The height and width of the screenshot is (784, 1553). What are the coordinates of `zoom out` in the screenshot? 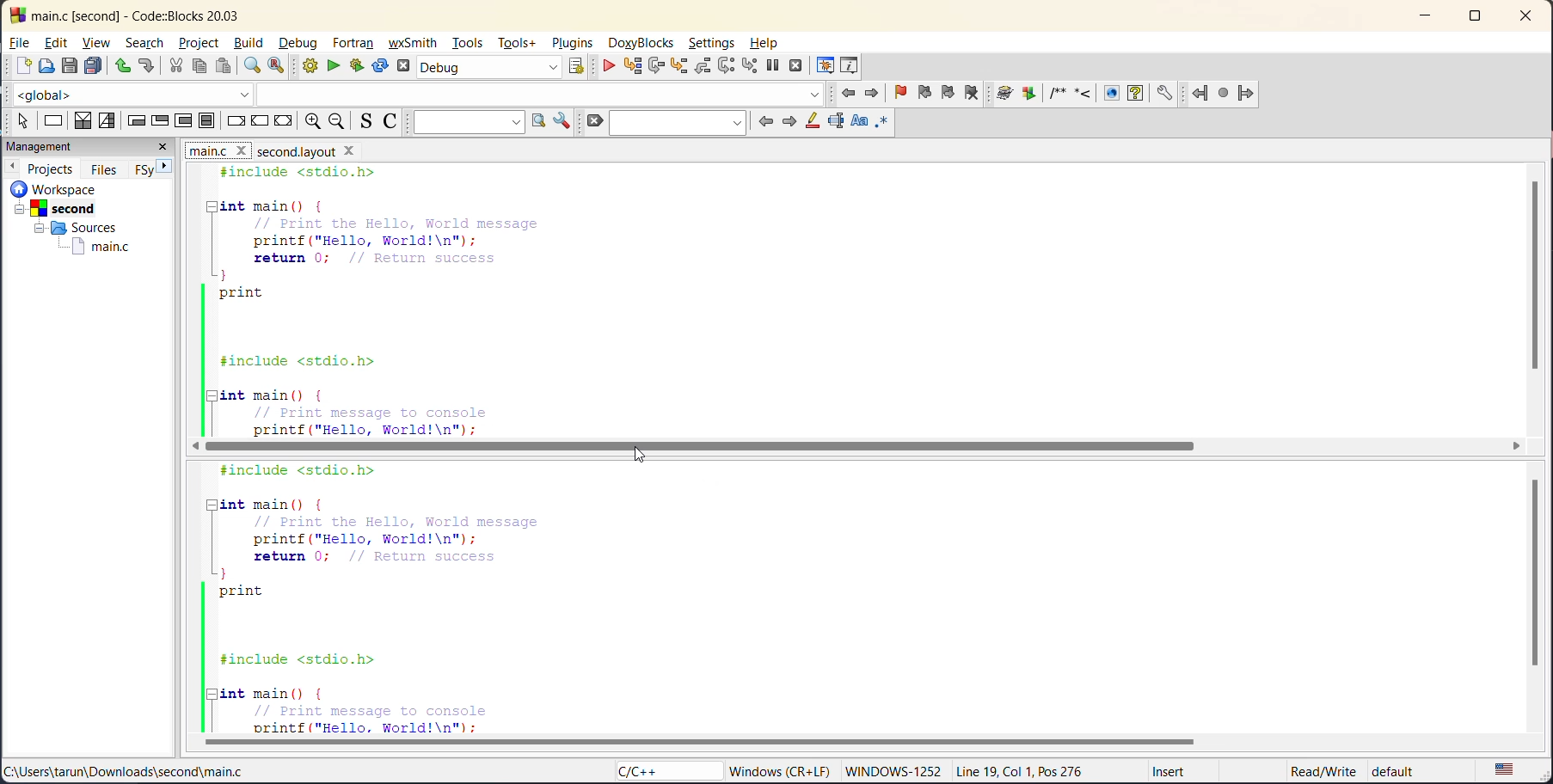 It's located at (336, 121).